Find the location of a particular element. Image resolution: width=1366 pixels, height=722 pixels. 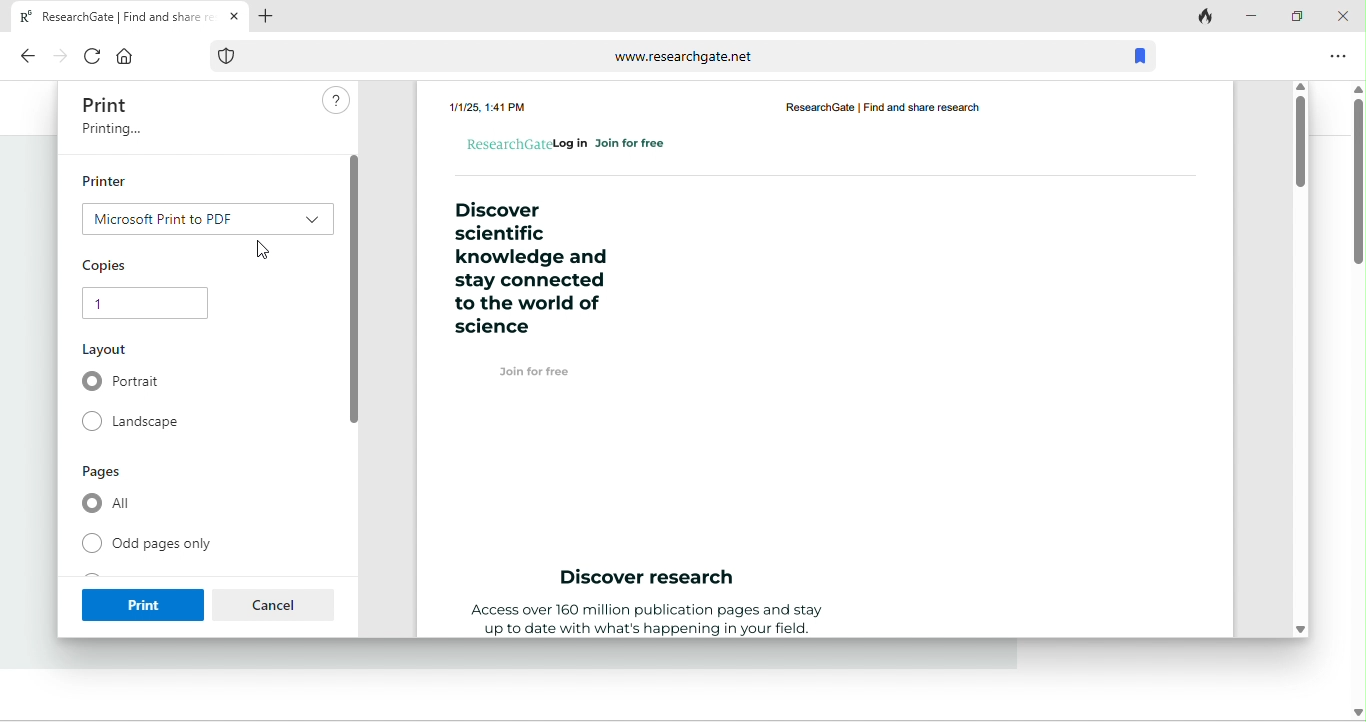

Join for free is located at coordinates (632, 144).